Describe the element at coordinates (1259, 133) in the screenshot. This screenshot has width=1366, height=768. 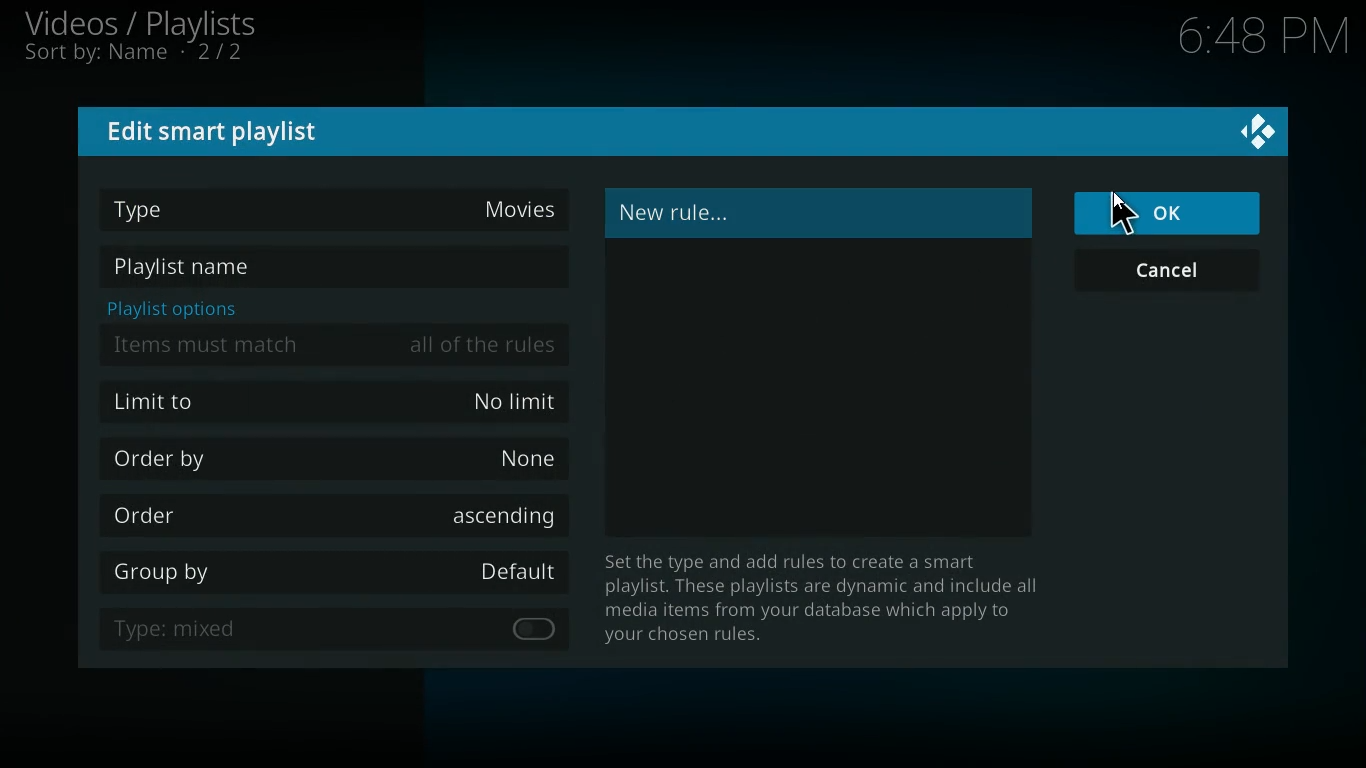
I see `kodi logo` at that location.